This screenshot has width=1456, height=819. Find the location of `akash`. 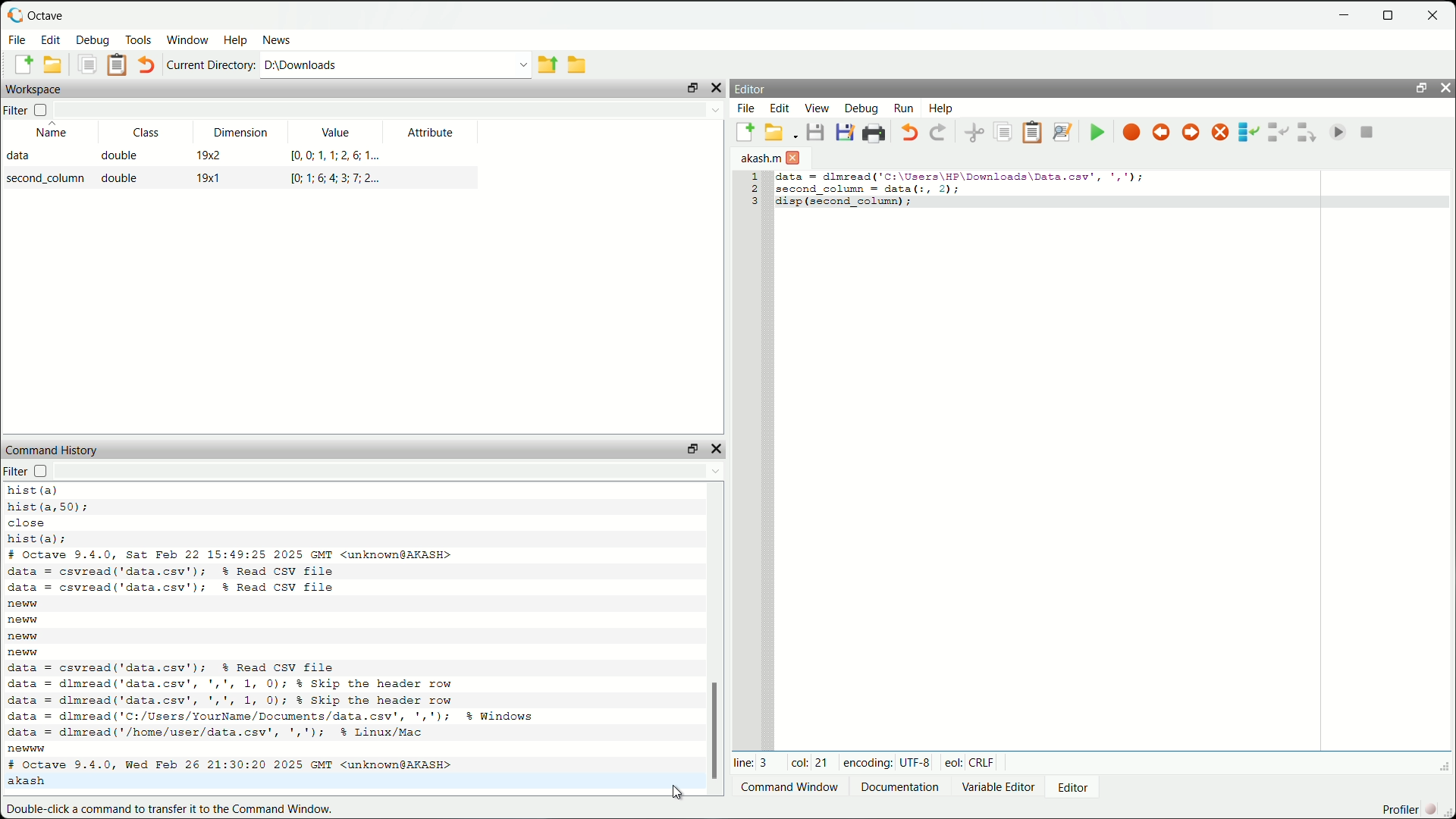

akash is located at coordinates (39, 784).